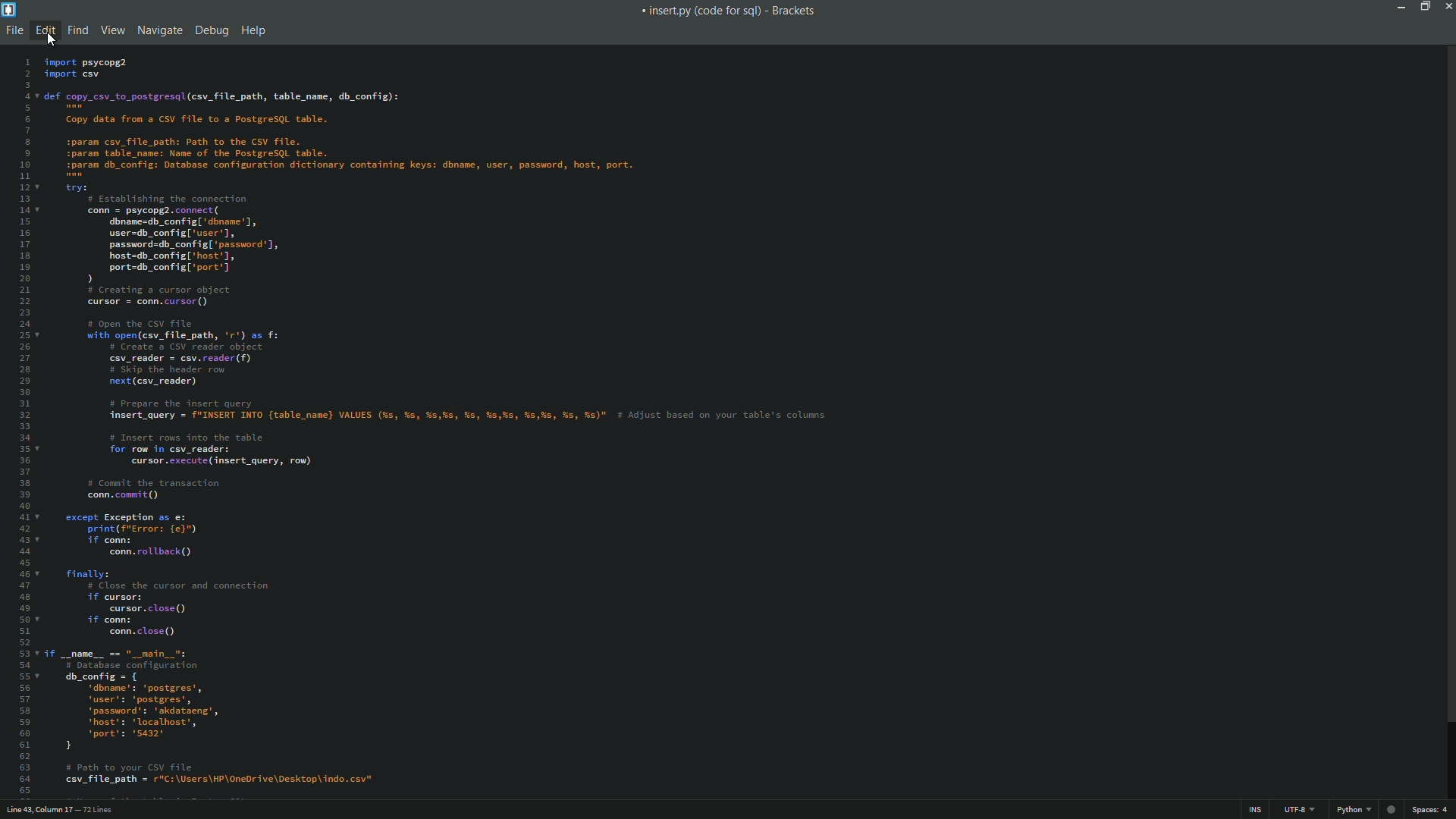 Image resolution: width=1456 pixels, height=819 pixels. Describe the element at coordinates (515, 426) in the screenshot. I see `code` at that location.